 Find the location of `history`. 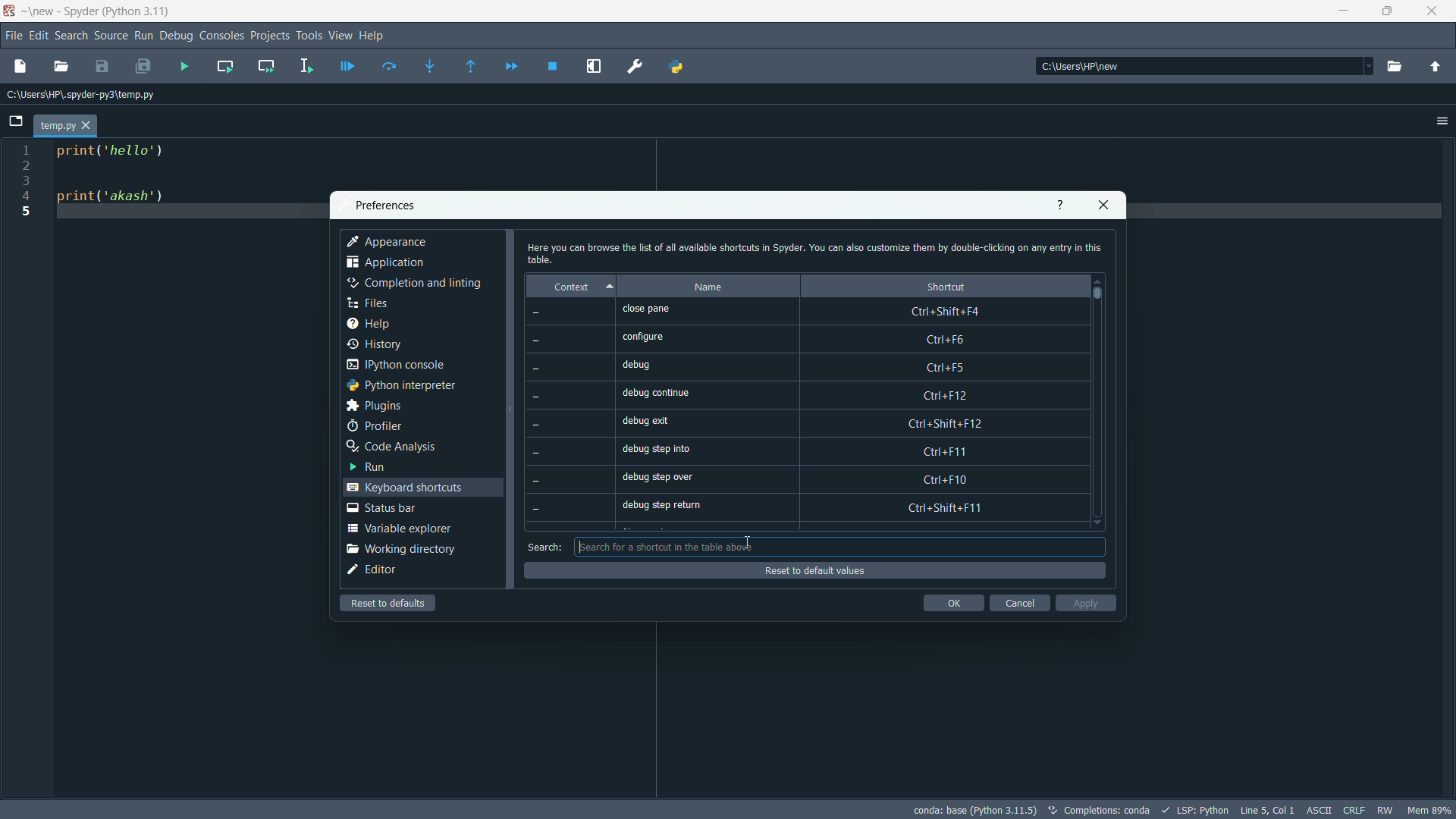

history is located at coordinates (376, 345).